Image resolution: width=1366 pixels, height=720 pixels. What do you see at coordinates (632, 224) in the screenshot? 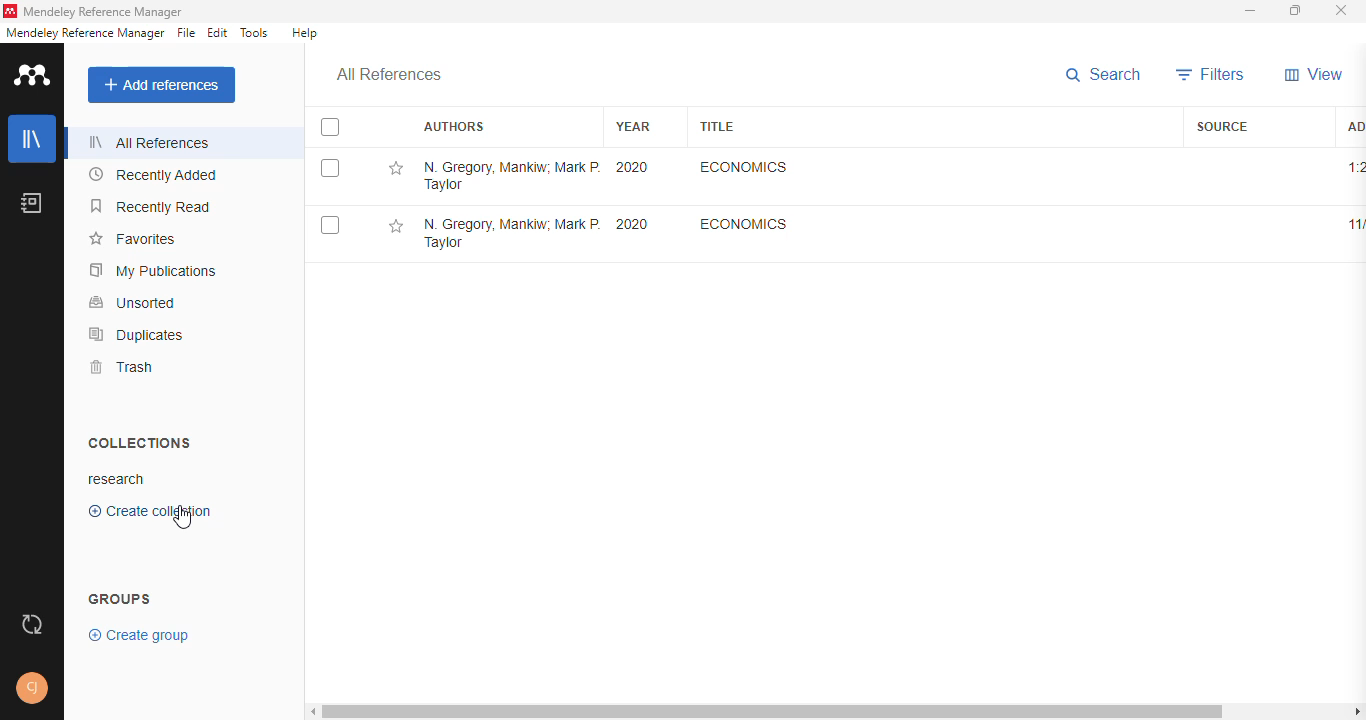
I see `2020` at bounding box center [632, 224].